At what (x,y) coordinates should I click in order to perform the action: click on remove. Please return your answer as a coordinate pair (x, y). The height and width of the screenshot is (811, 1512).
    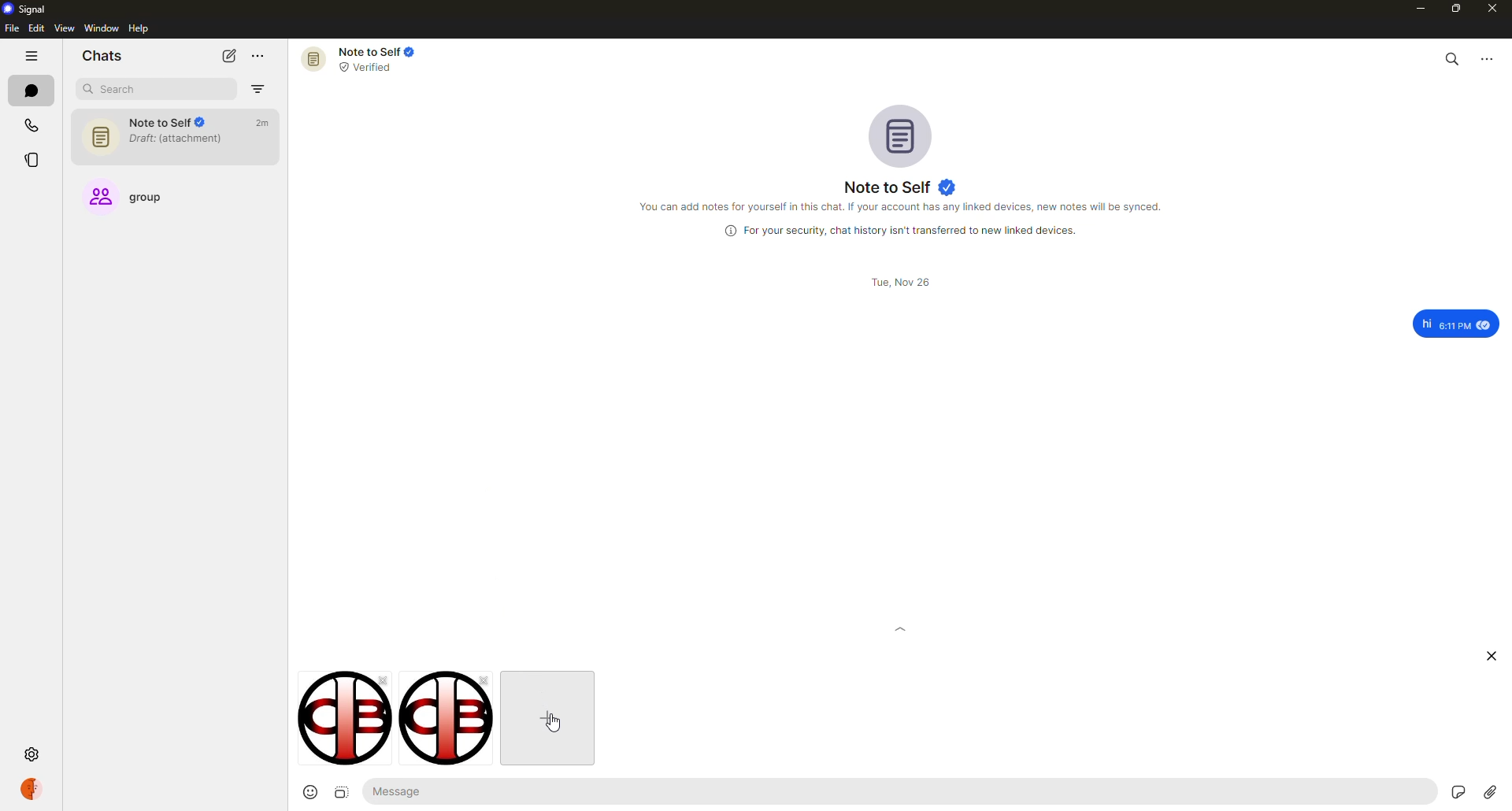
    Looking at the image, I should click on (489, 680).